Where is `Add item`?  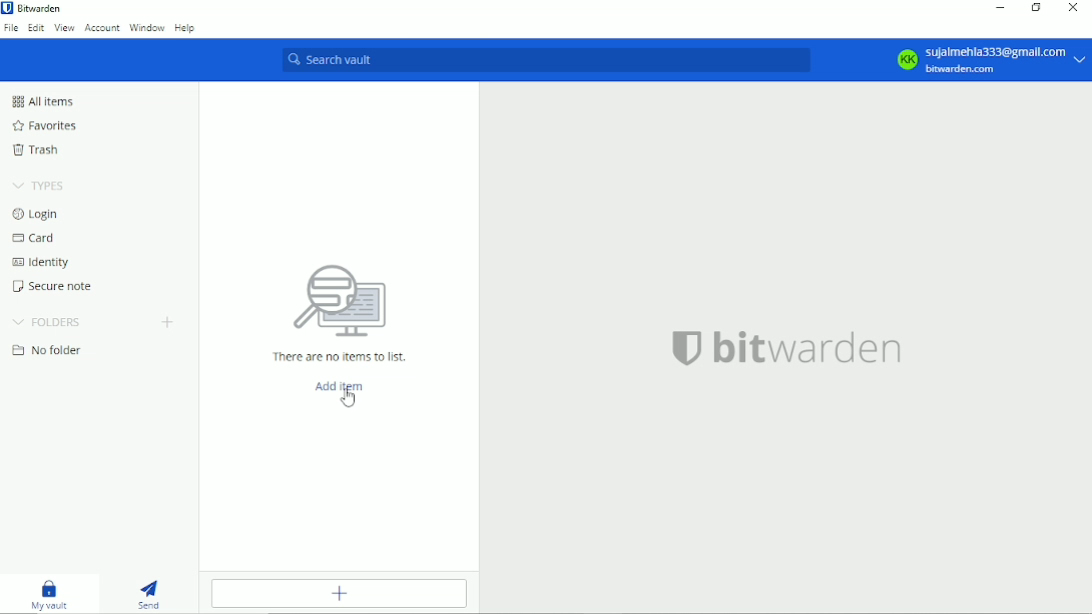
Add item is located at coordinates (339, 386).